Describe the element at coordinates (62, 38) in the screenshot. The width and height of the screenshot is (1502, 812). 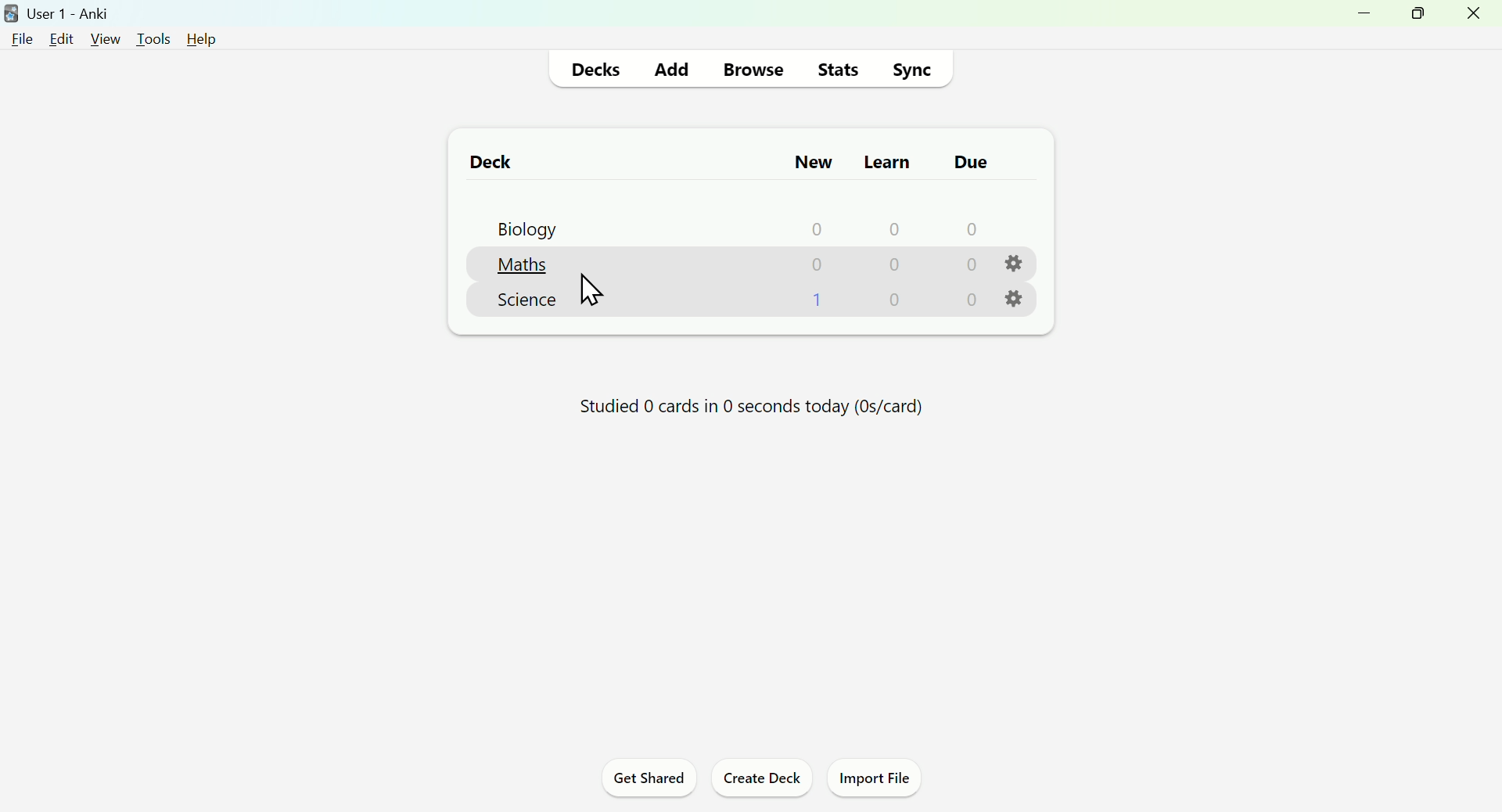
I see `edit` at that location.